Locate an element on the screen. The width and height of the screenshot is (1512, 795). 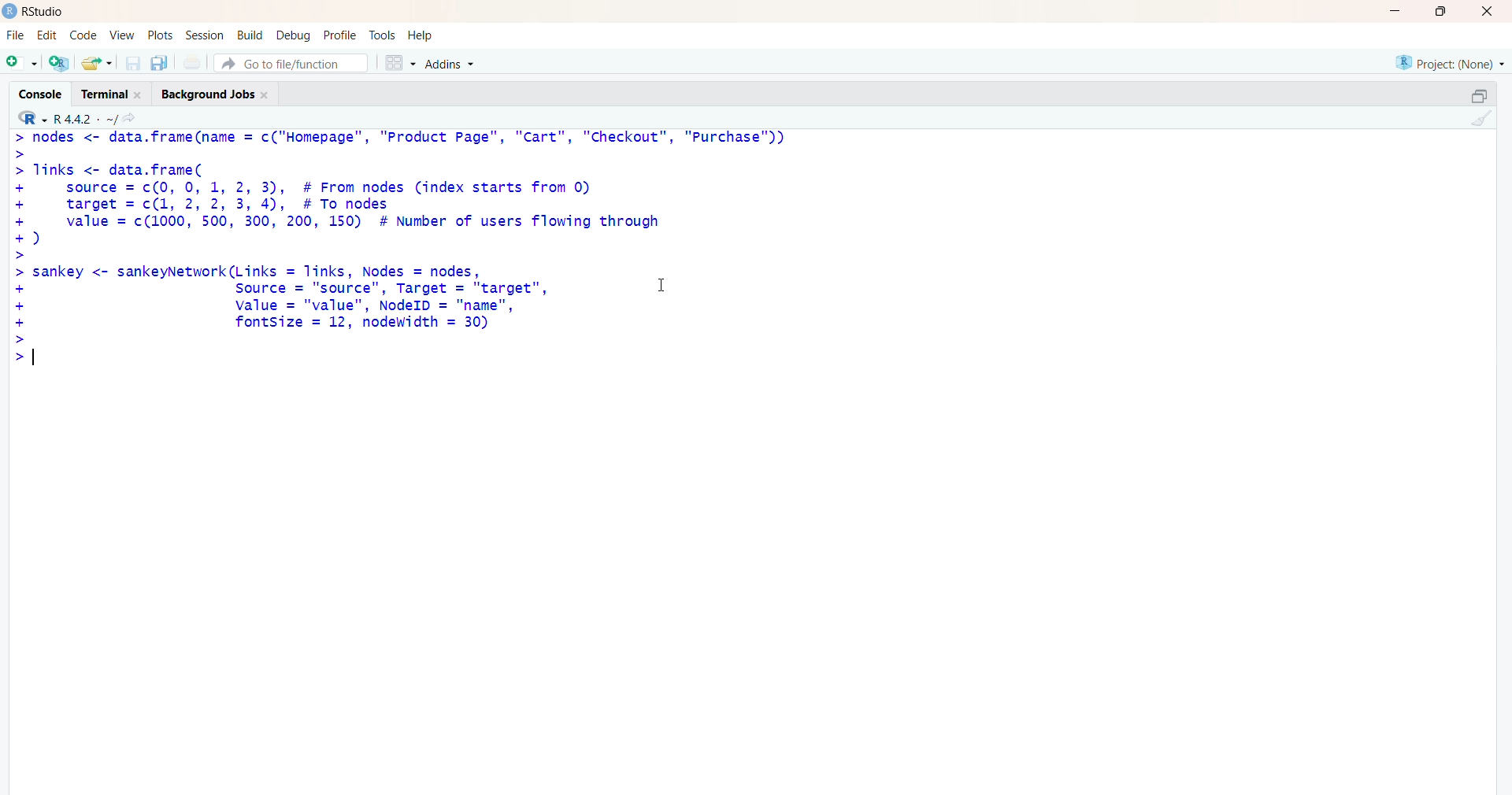
go to file function is located at coordinates (291, 63).